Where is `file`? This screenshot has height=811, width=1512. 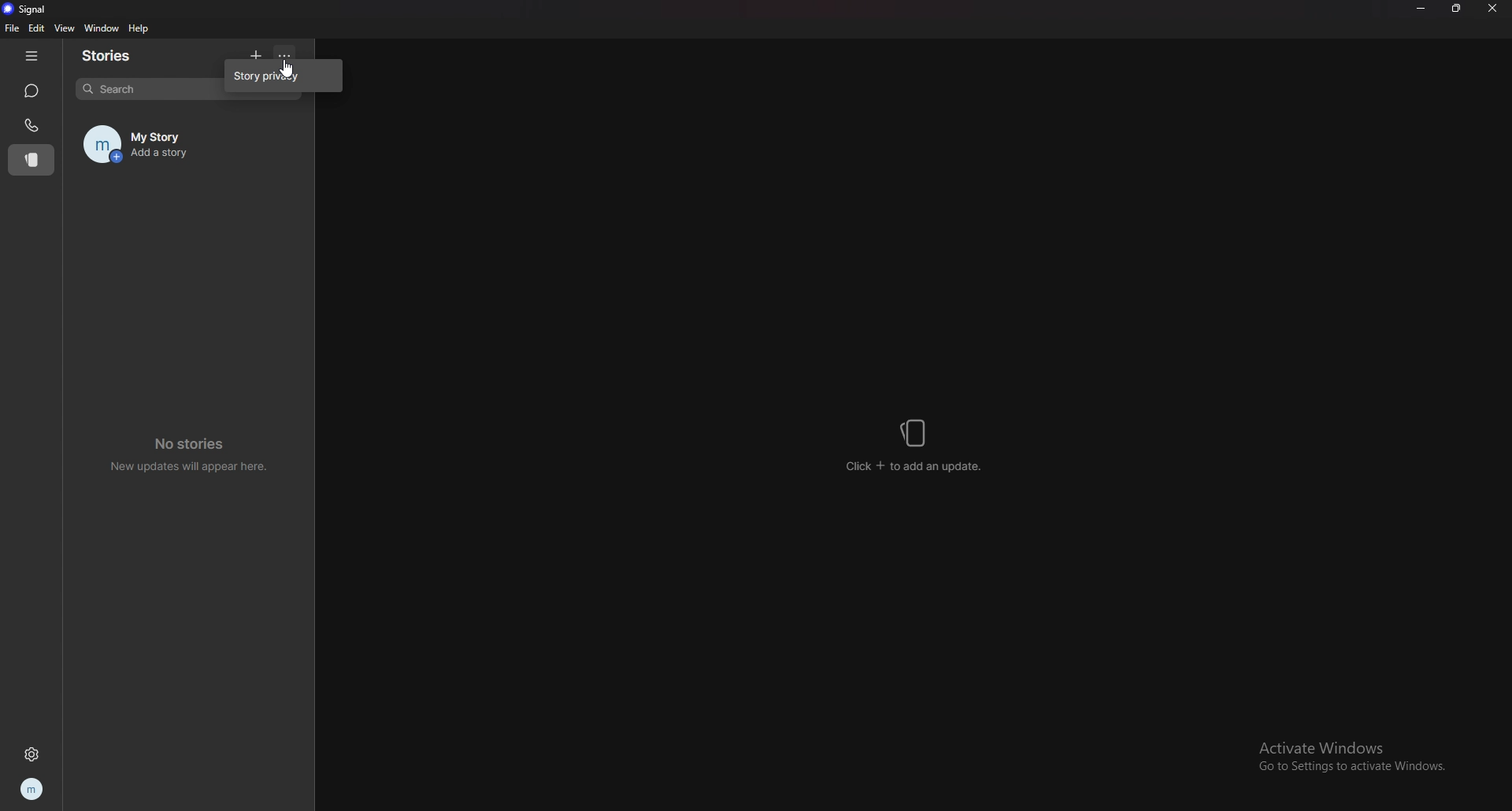 file is located at coordinates (12, 28).